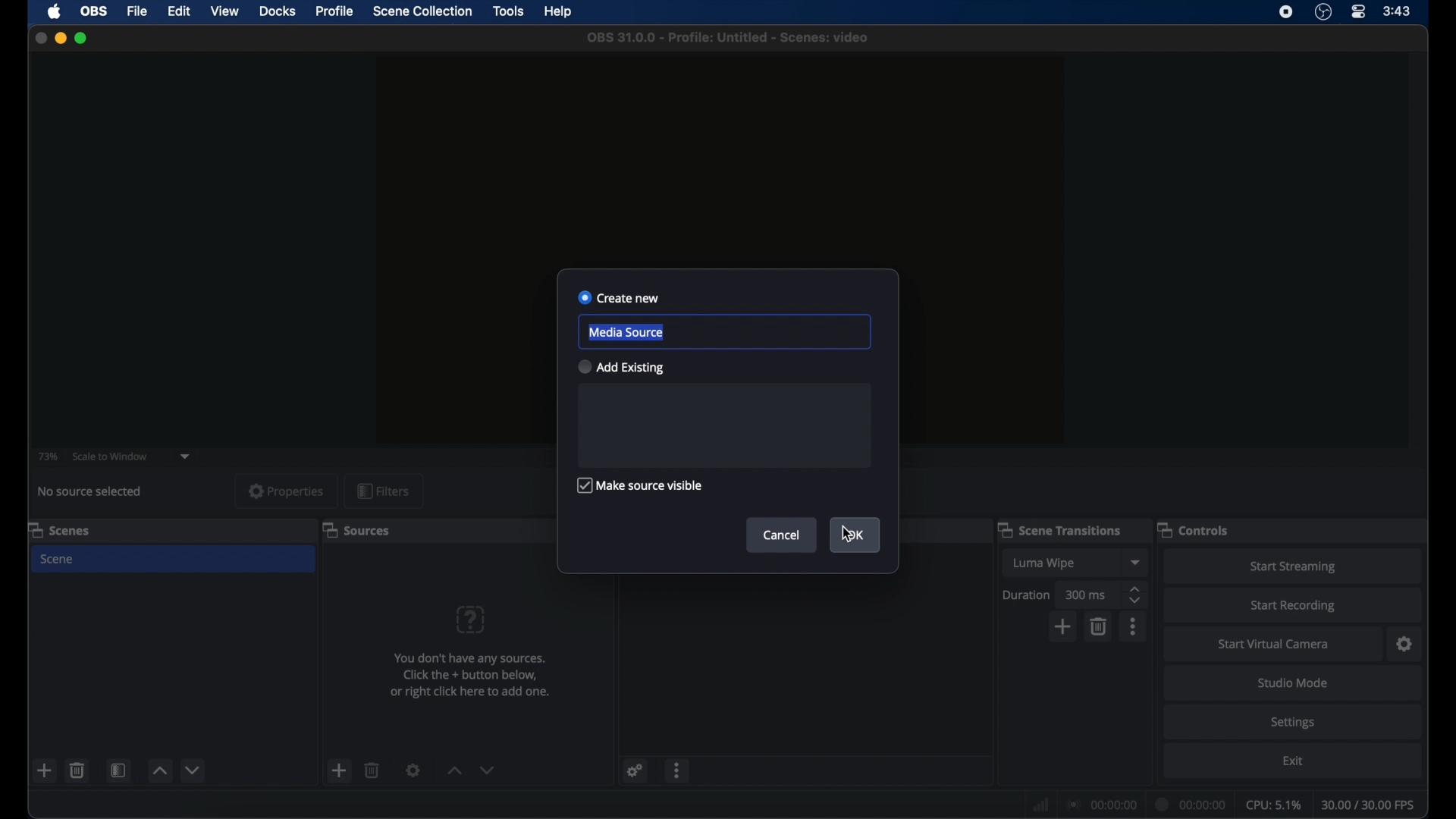 Image resolution: width=1456 pixels, height=819 pixels. Describe the element at coordinates (59, 529) in the screenshot. I see `scenes` at that location.